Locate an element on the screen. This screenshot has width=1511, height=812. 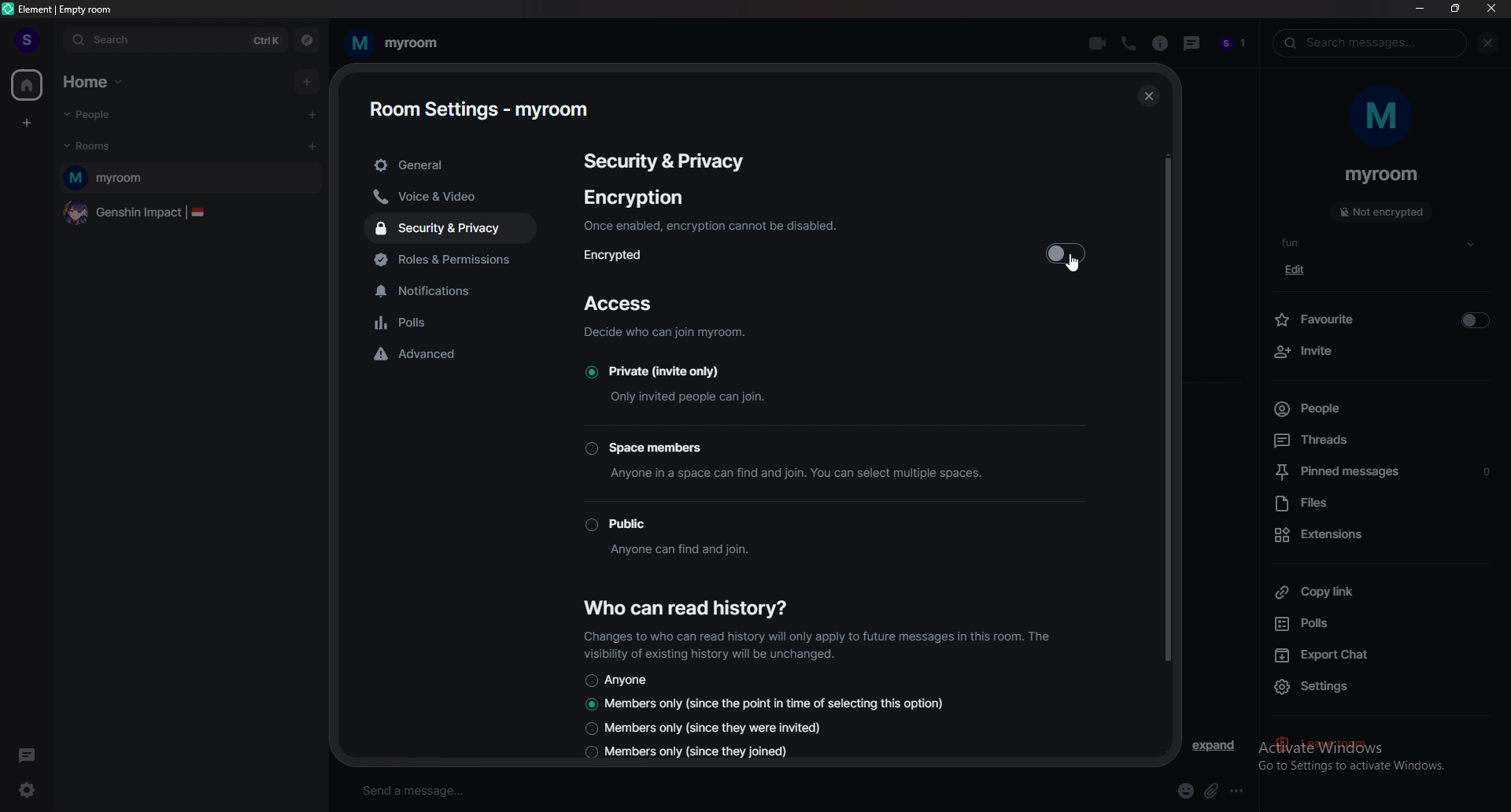
room info is located at coordinates (1160, 44).